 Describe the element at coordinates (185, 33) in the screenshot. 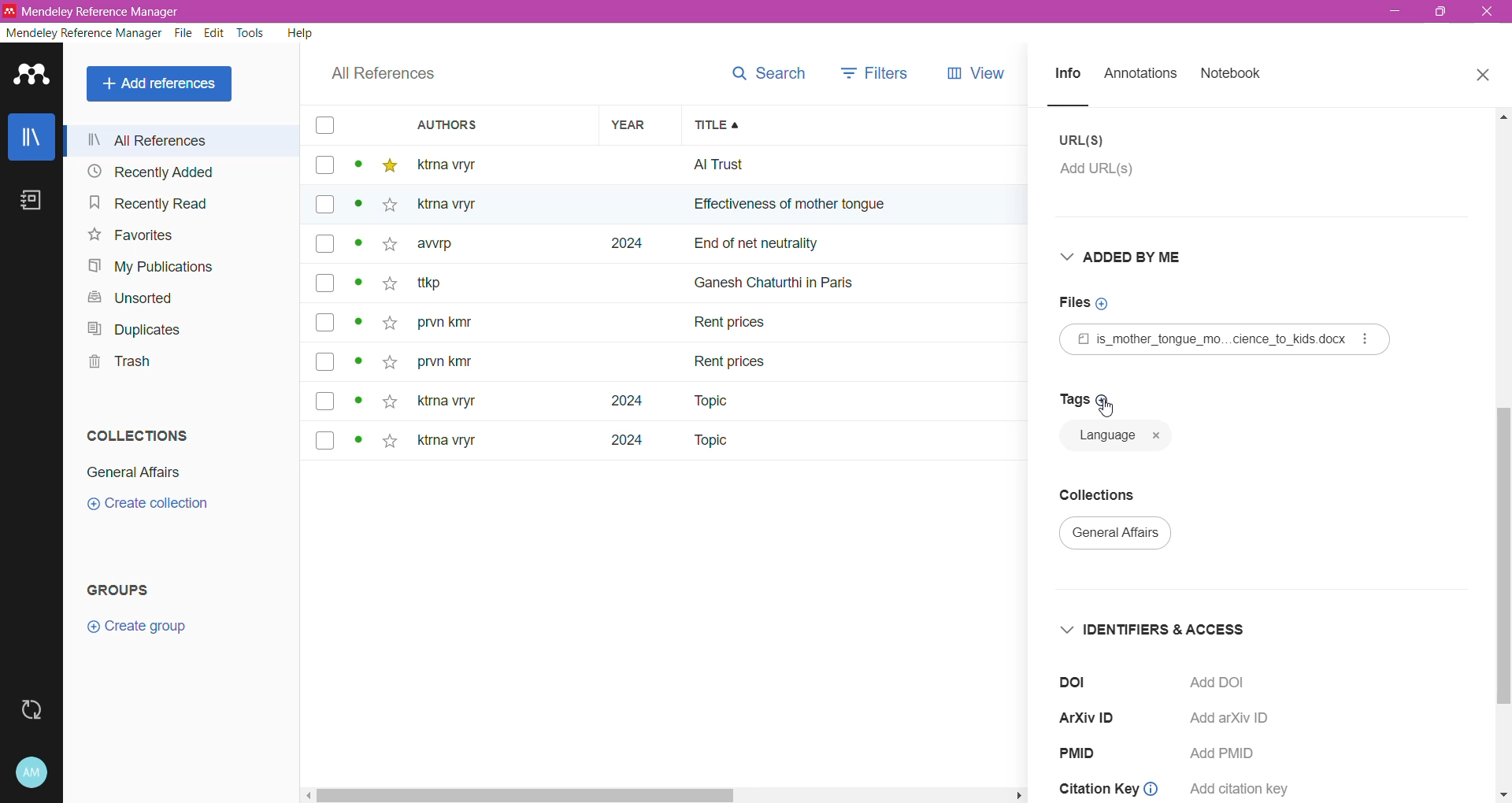

I see `File` at that location.